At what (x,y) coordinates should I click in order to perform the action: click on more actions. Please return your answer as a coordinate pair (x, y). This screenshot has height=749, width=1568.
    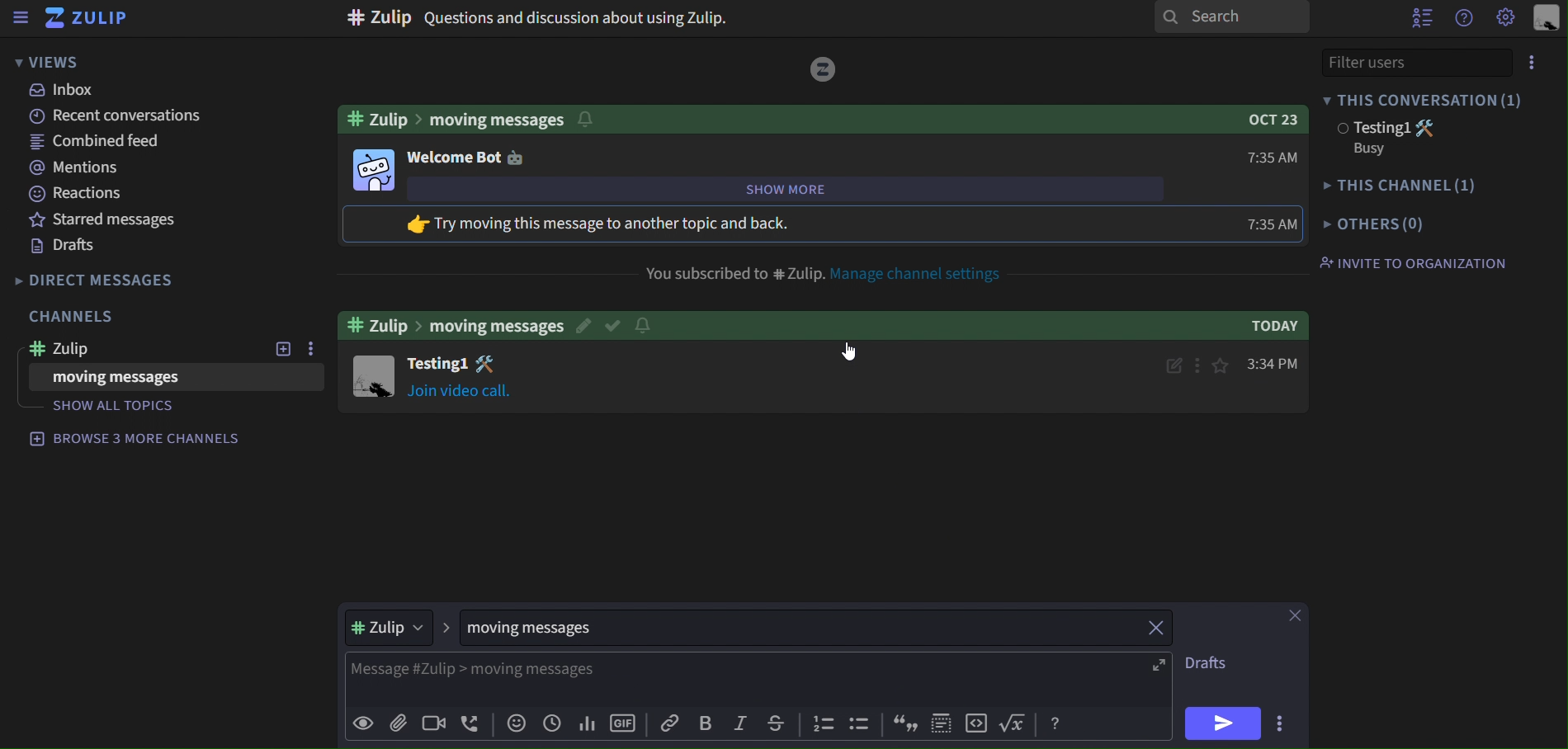
    Looking at the image, I should click on (1282, 723).